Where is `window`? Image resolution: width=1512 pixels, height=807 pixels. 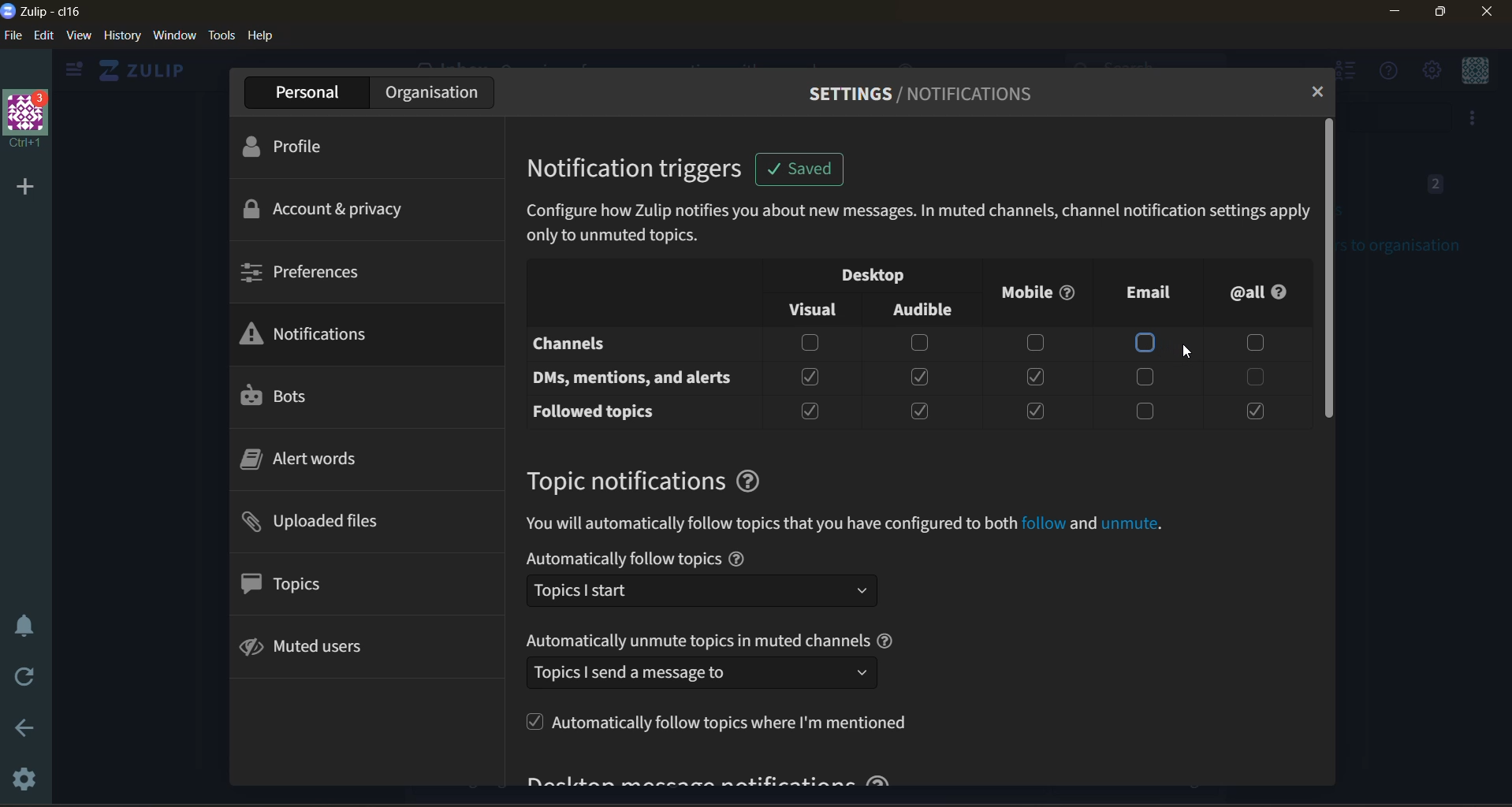 window is located at coordinates (174, 35).